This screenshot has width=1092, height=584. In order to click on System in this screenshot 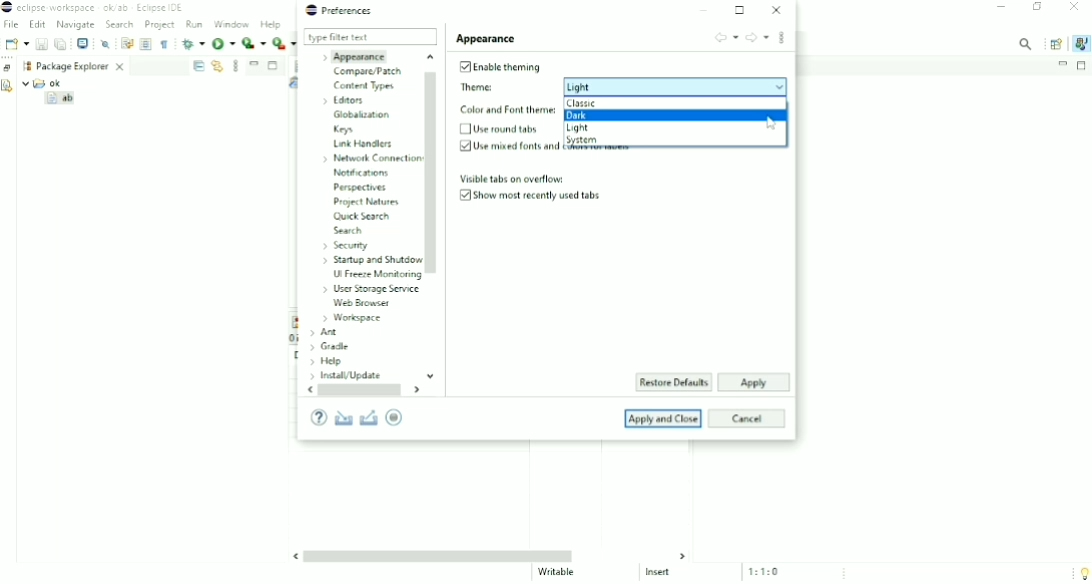, I will do `click(584, 140)`.